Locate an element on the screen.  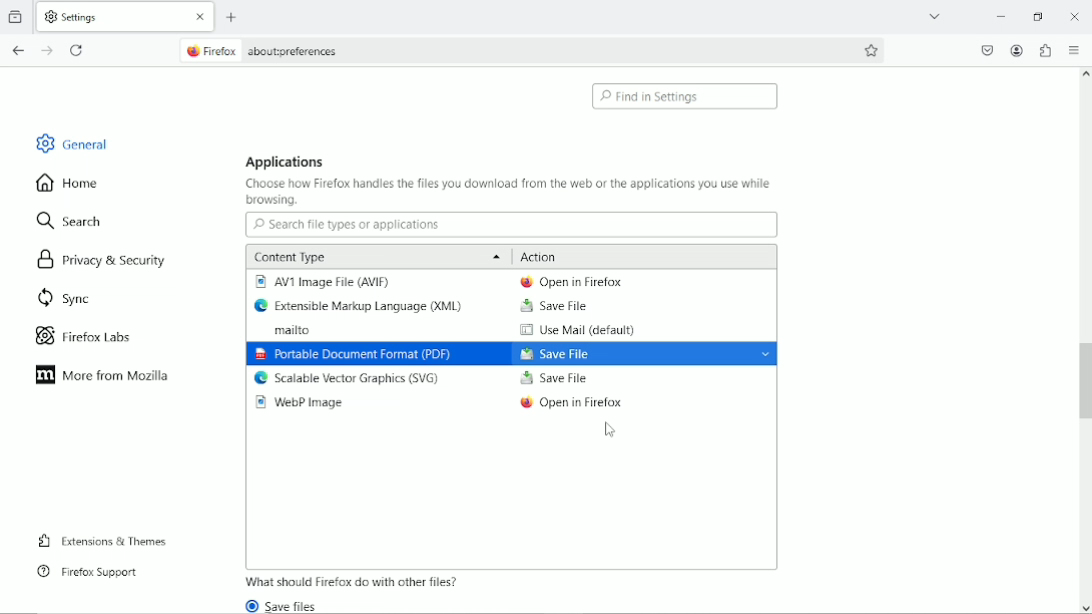
Save file is located at coordinates (553, 306).